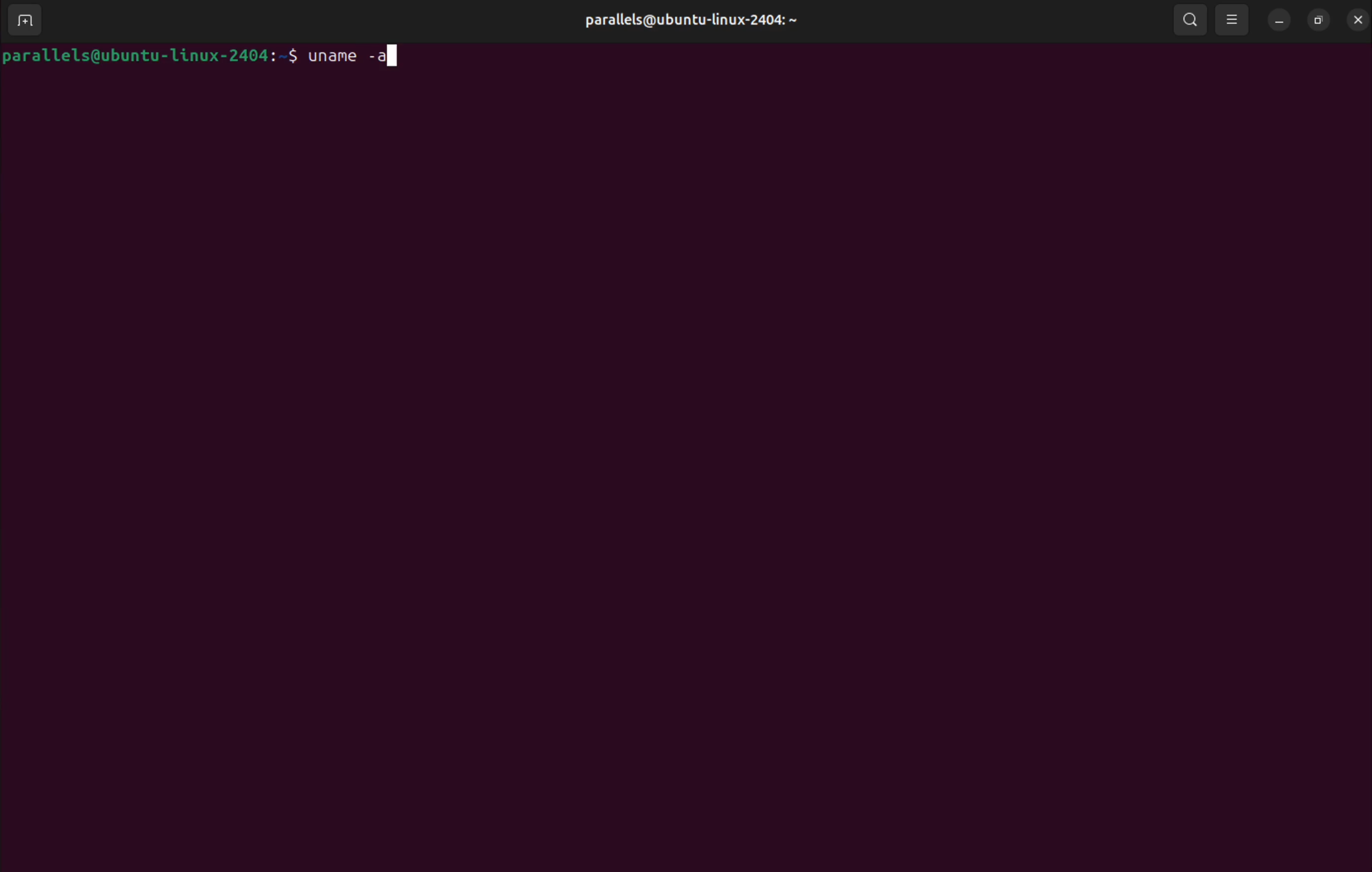 The height and width of the screenshot is (872, 1372). Describe the element at coordinates (690, 26) in the screenshot. I see `parallels@ubuntu-linux-2404:~` at that location.